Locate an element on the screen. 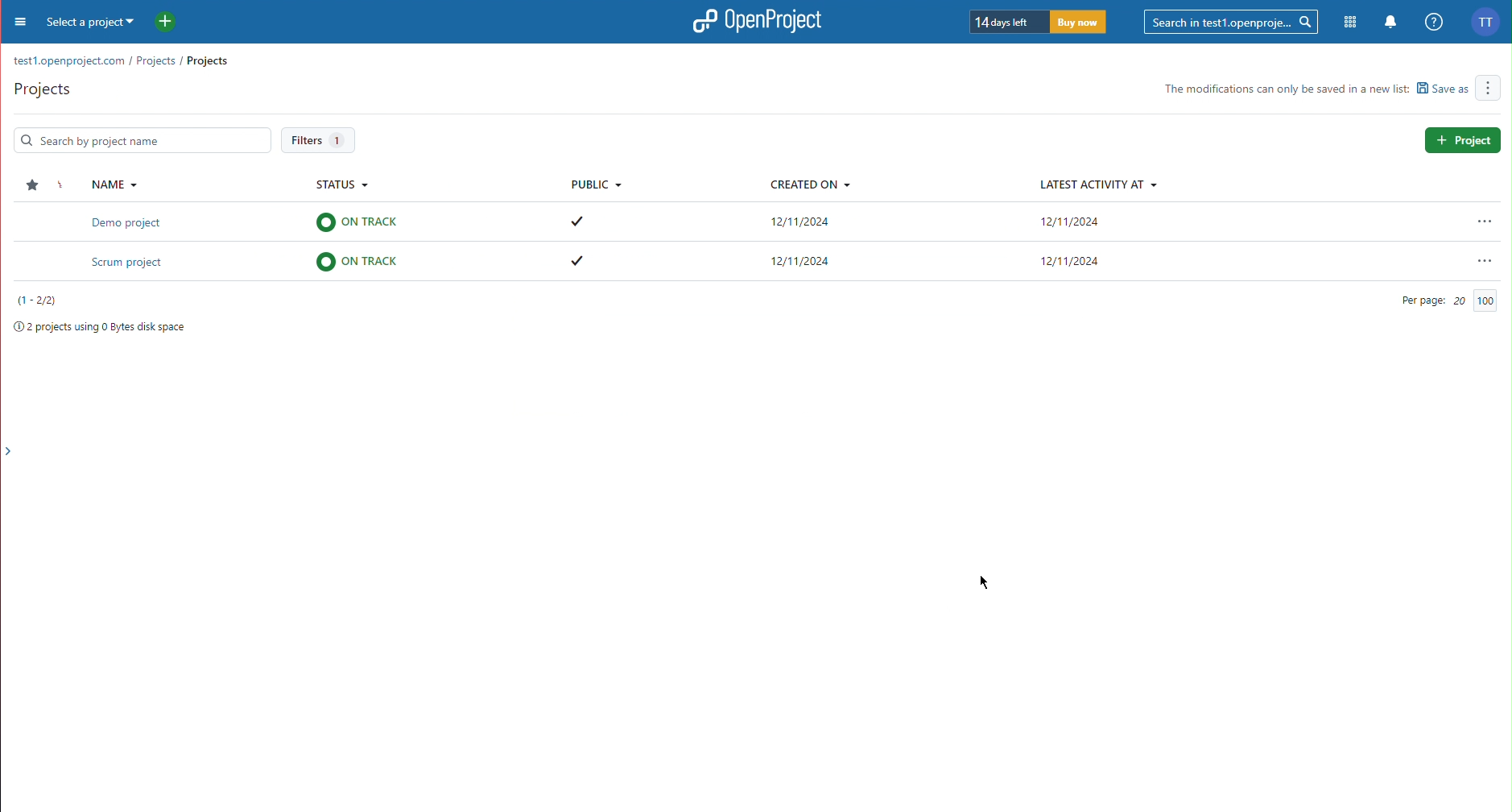  Status is located at coordinates (339, 183).